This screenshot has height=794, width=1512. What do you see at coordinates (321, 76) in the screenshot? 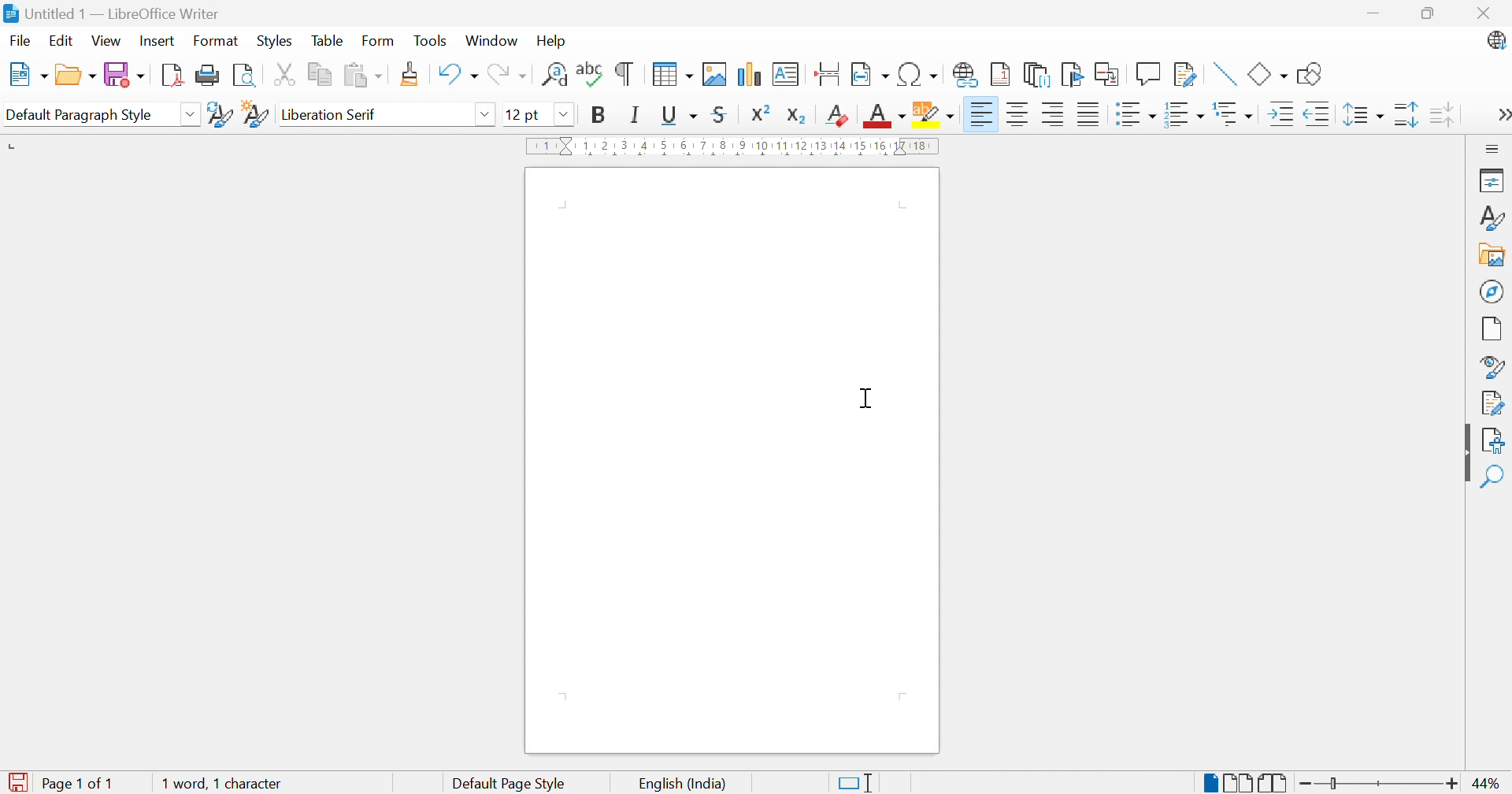
I see `Copy` at bounding box center [321, 76].